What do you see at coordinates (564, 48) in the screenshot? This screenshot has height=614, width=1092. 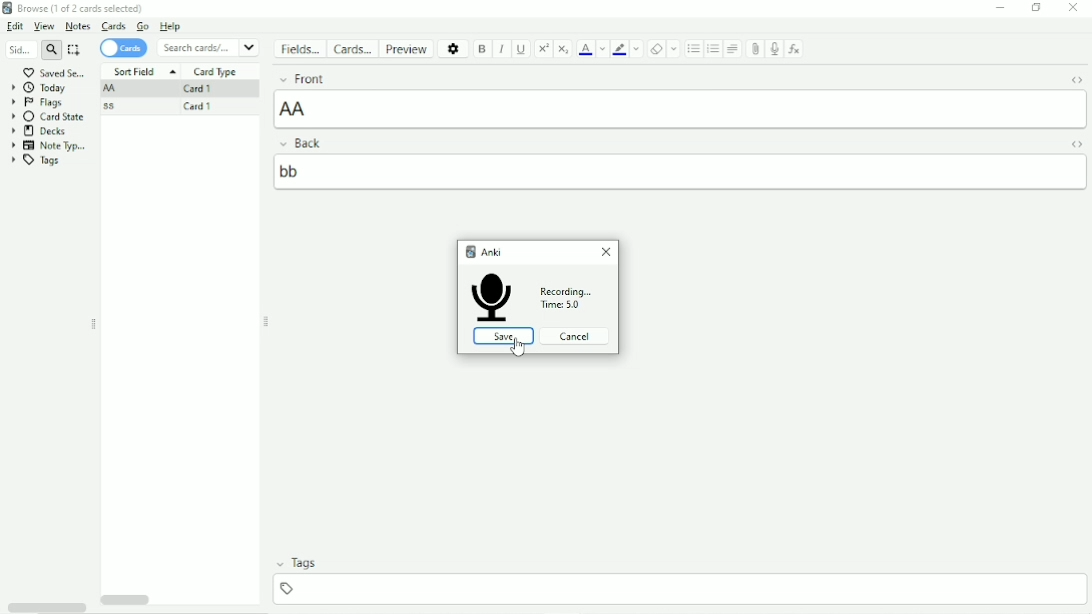 I see `Subscript` at bounding box center [564, 48].